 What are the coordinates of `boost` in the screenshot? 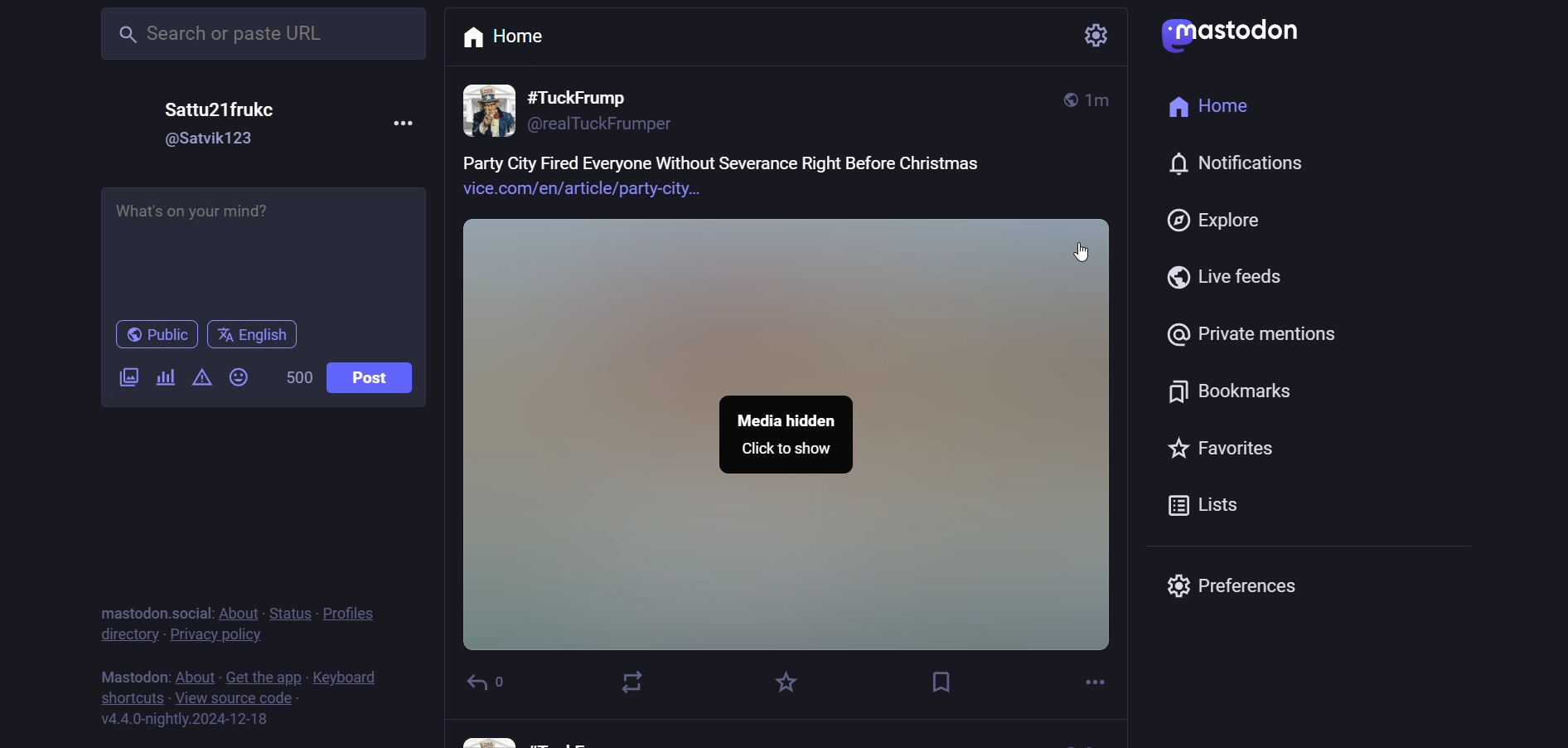 It's located at (625, 682).